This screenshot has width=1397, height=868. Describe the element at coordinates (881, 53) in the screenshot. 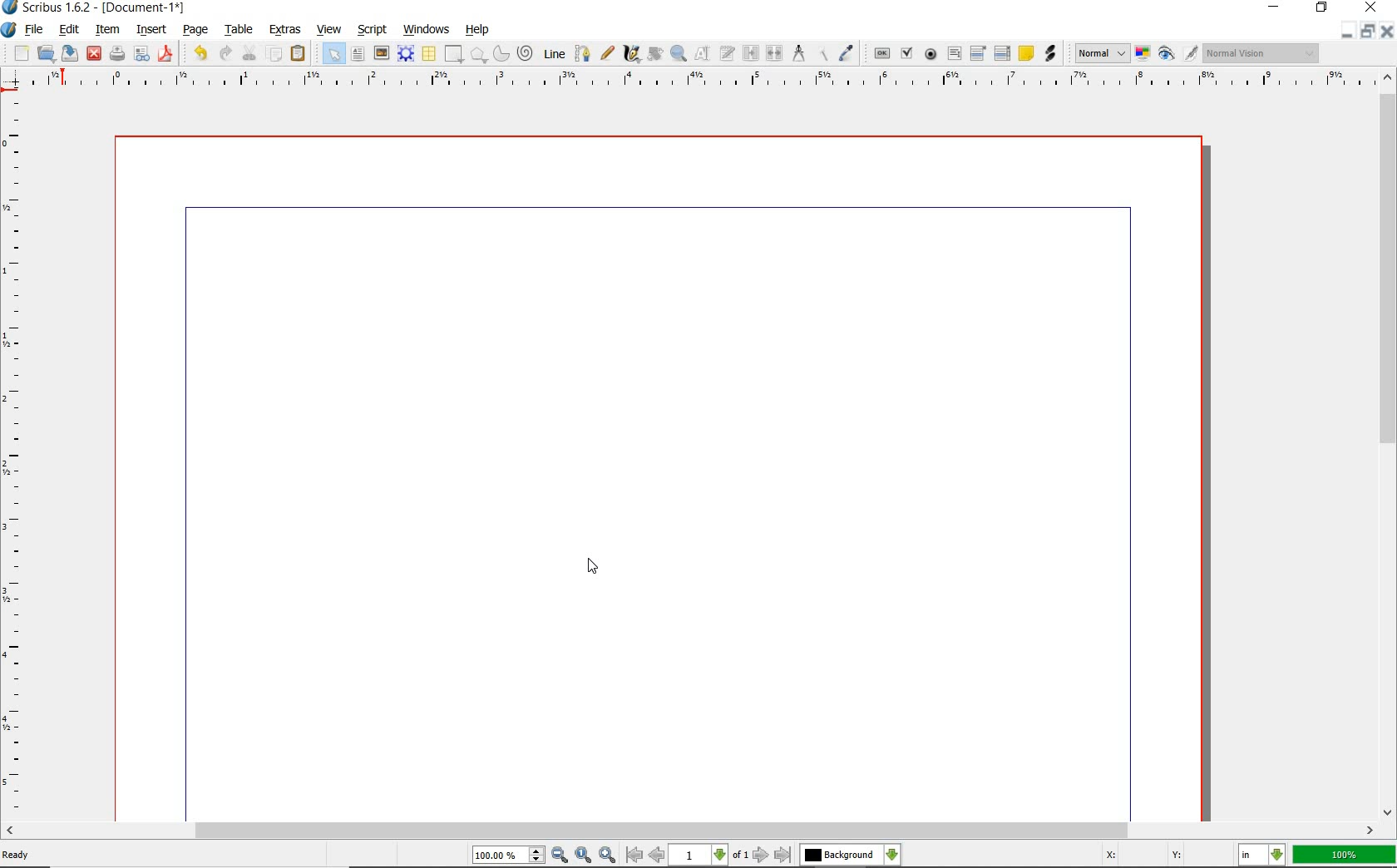

I see `pdf push button` at that location.